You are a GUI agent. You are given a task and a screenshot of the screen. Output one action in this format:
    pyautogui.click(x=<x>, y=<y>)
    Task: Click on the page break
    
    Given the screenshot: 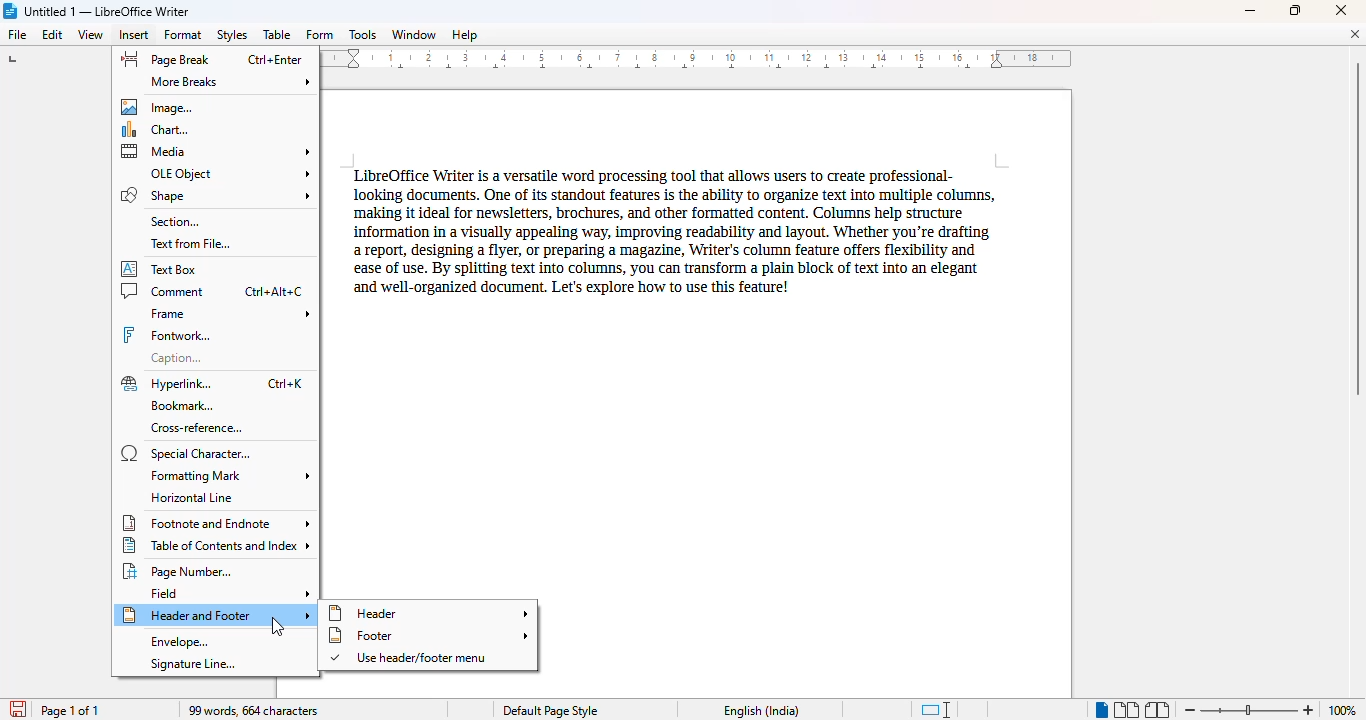 What is the action you would take?
    pyautogui.click(x=211, y=59)
    